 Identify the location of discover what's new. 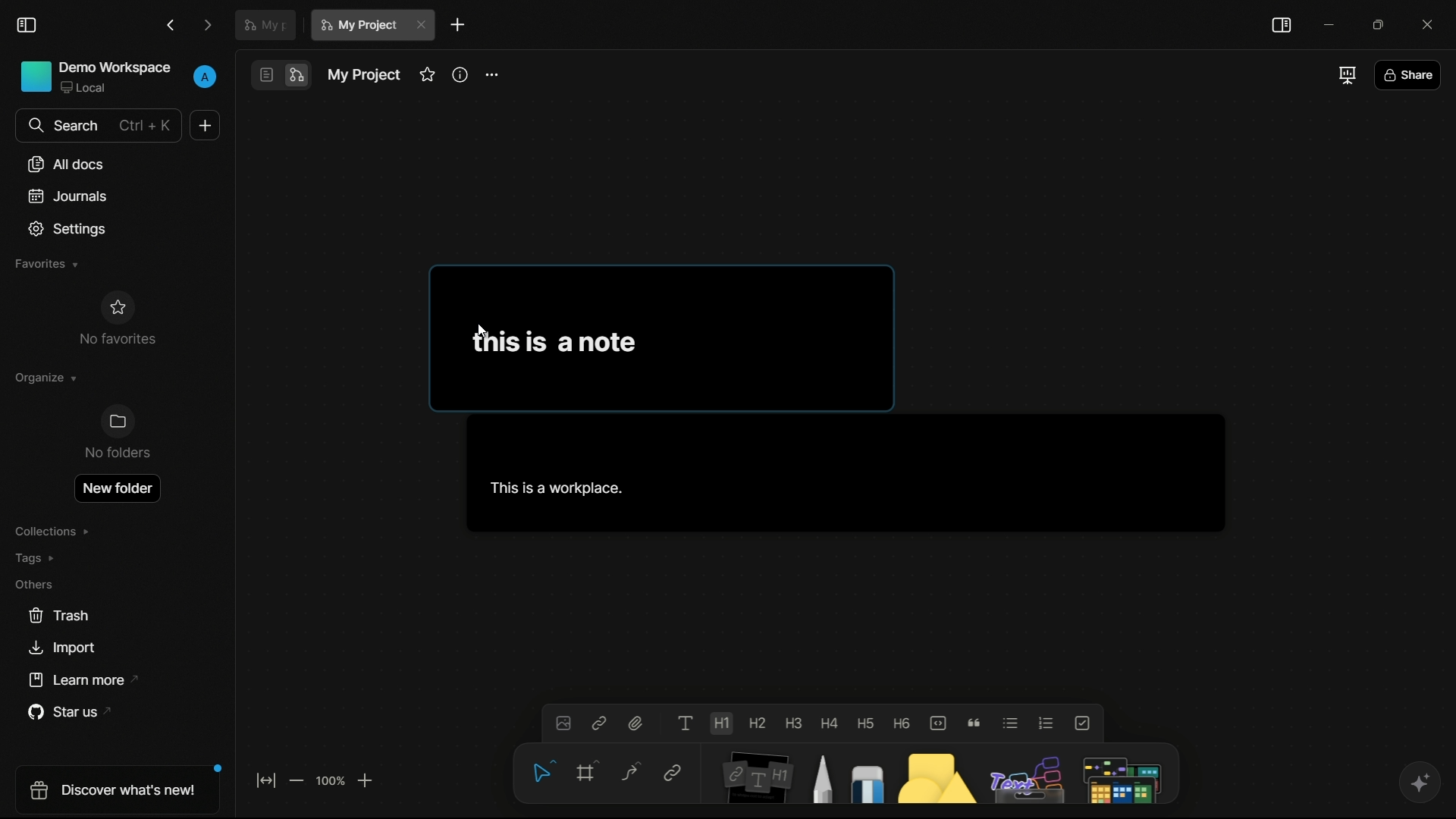
(113, 793).